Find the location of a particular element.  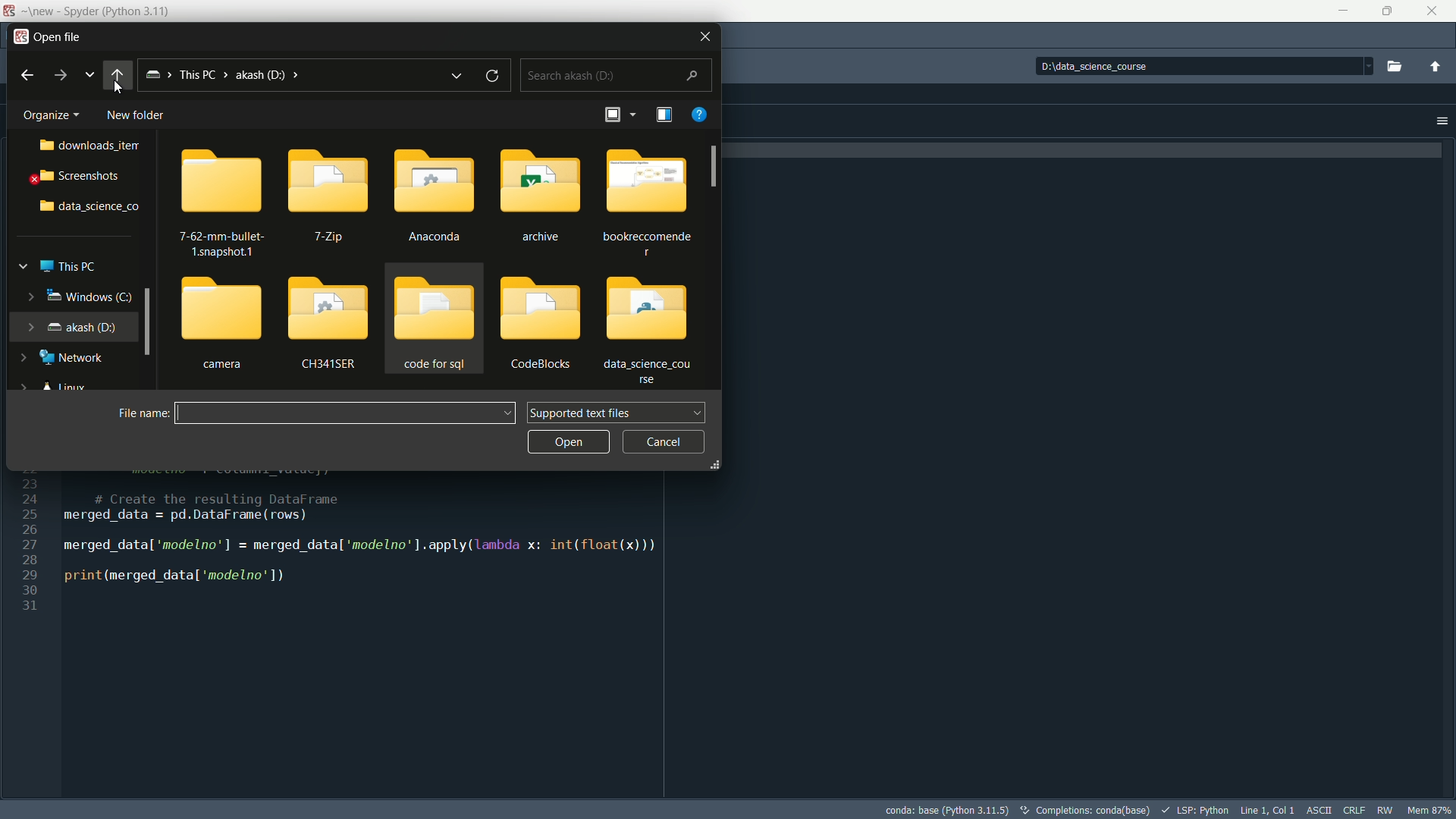

options is located at coordinates (1436, 121).